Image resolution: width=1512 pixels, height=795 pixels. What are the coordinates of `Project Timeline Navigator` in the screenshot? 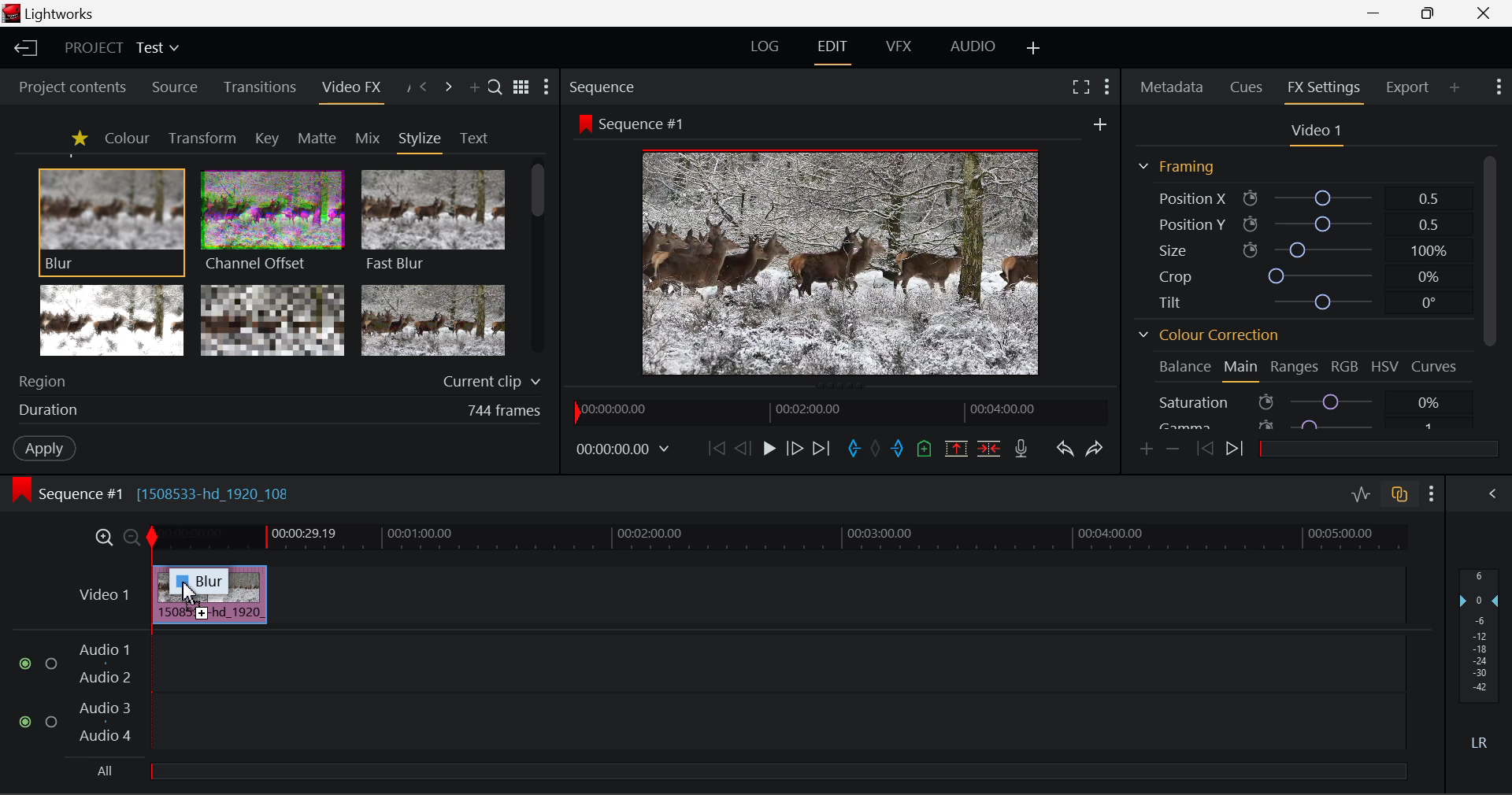 It's located at (836, 412).